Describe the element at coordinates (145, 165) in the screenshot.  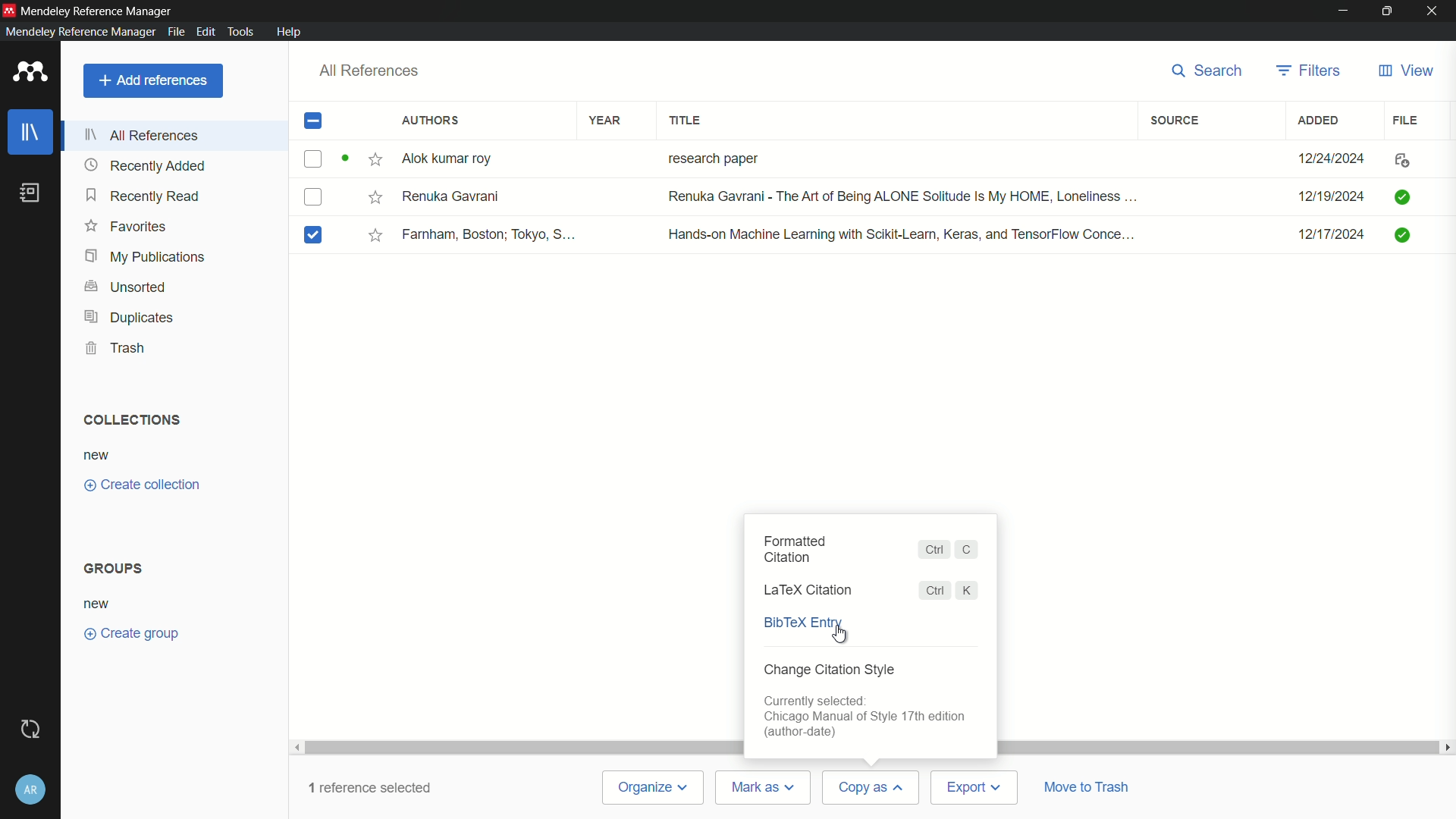
I see `recently added` at that location.